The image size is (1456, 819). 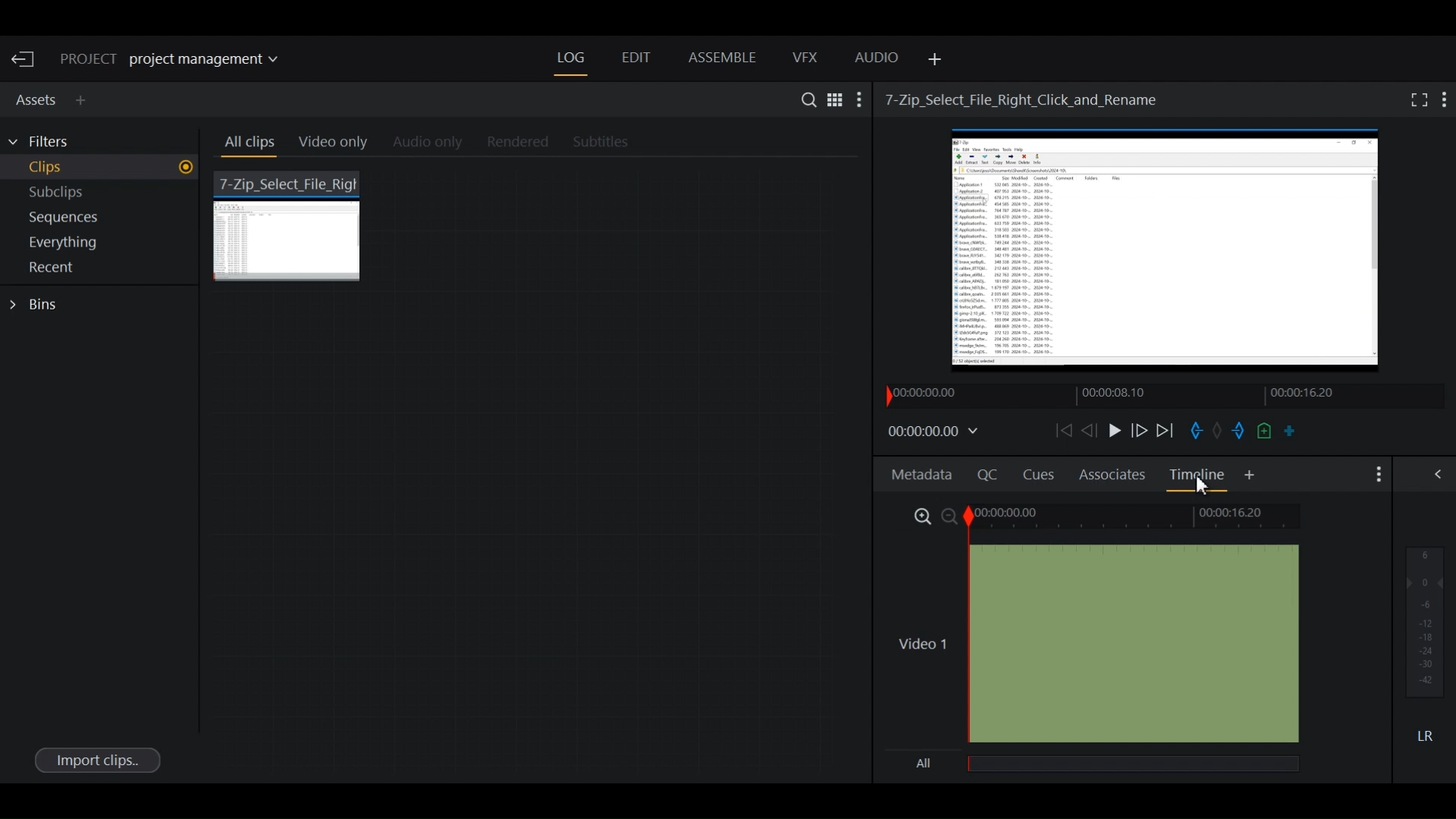 What do you see at coordinates (1168, 254) in the screenshot?
I see `Media Viewer` at bounding box center [1168, 254].